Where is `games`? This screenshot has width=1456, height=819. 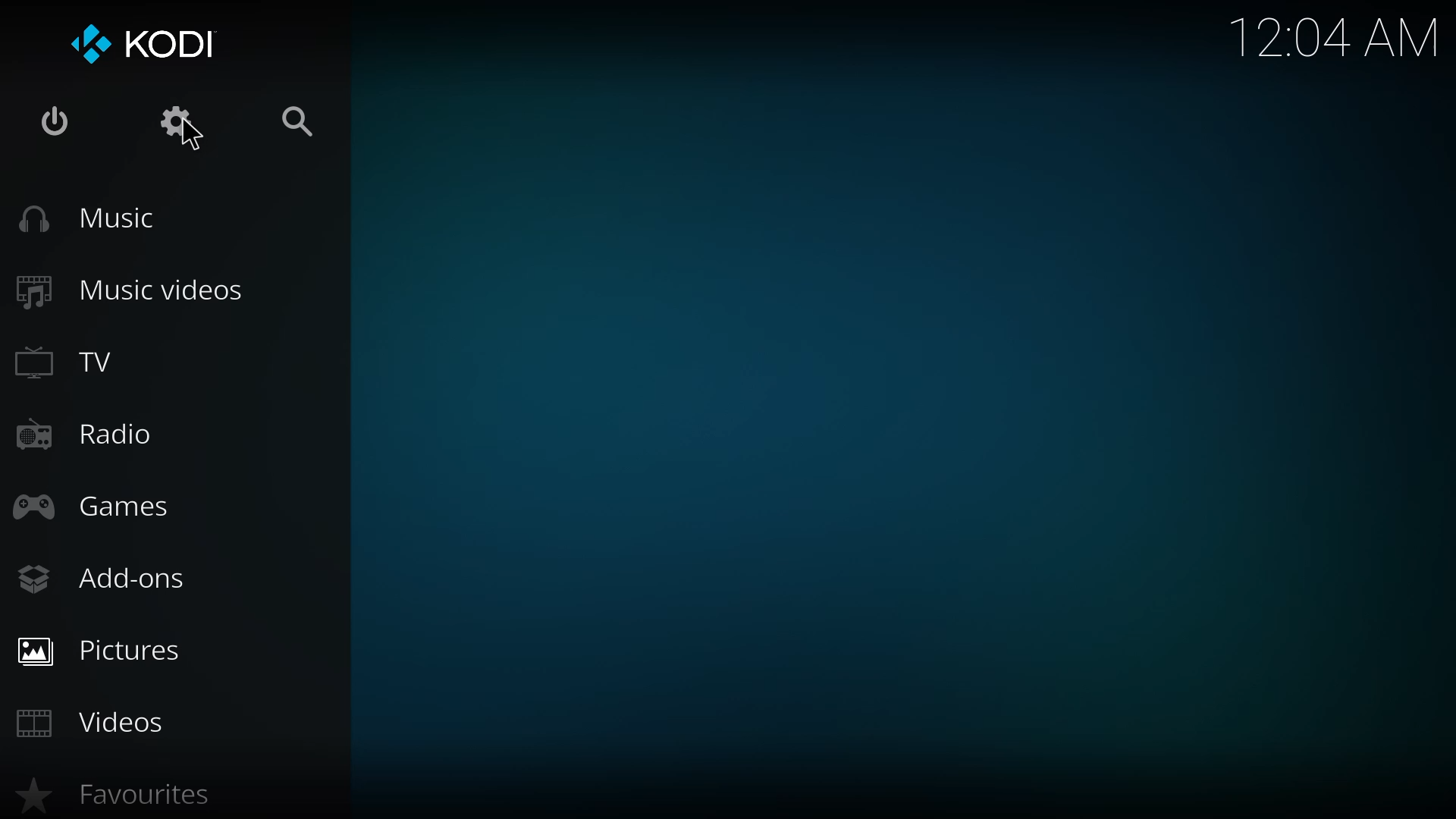
games is located at coordinates (96, 508).